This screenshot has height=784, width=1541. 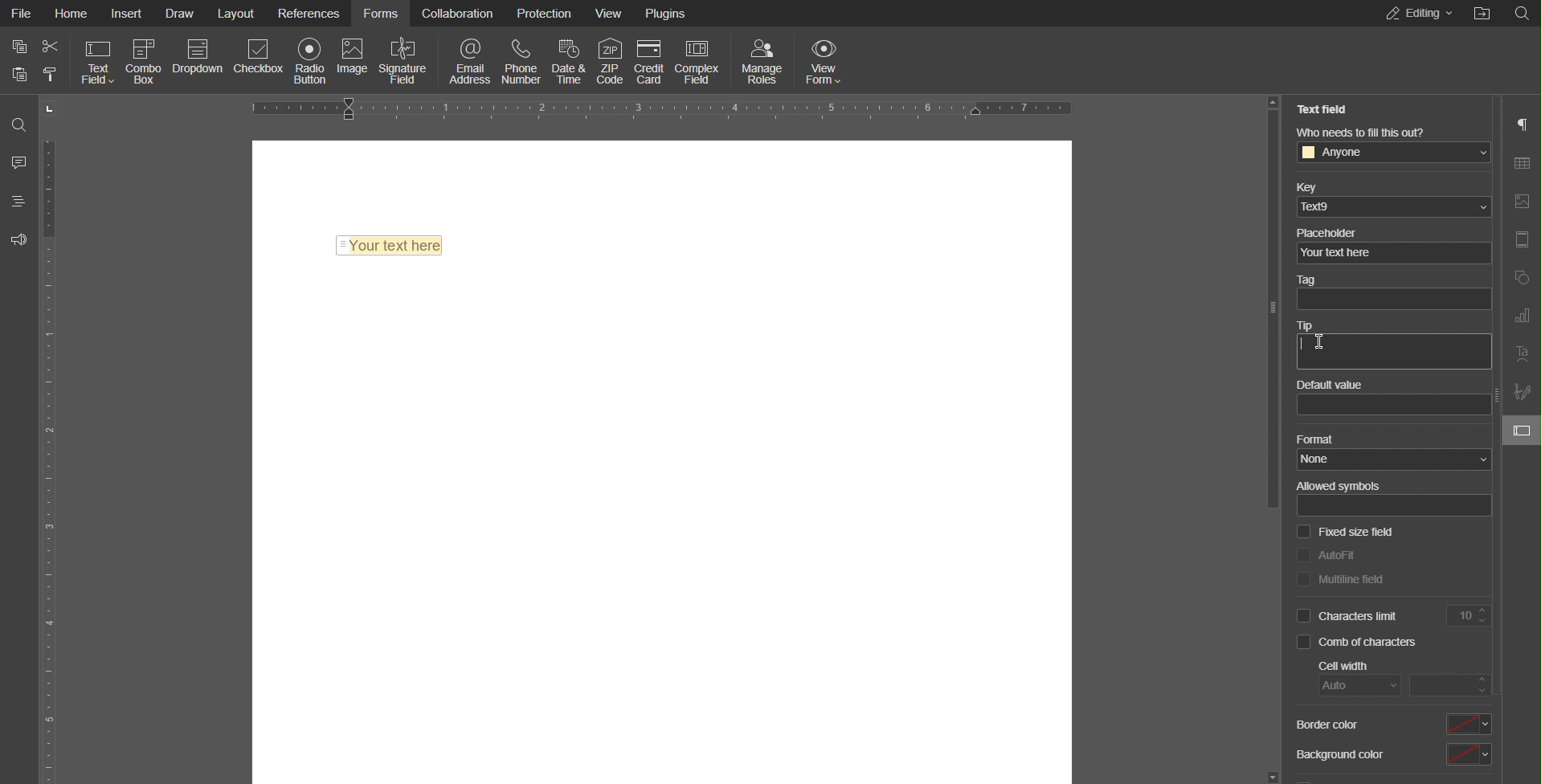 What do you see at coordinates (1362, 131) in the screenshot?
I see `Who needs to fill this out` at bounding box center [1362, 131].